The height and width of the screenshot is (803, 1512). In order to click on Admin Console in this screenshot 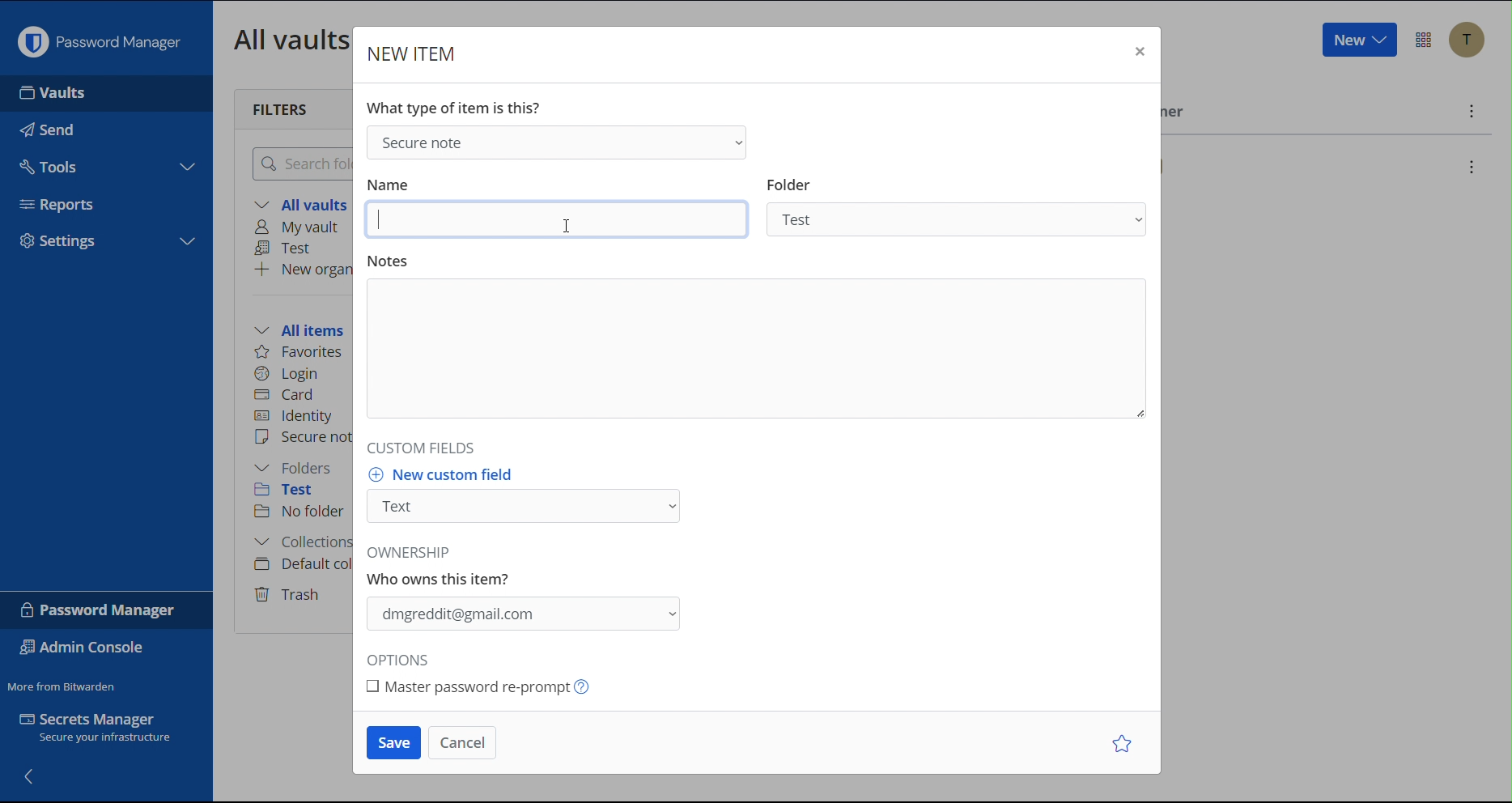, I will do `click(86, 649)`.